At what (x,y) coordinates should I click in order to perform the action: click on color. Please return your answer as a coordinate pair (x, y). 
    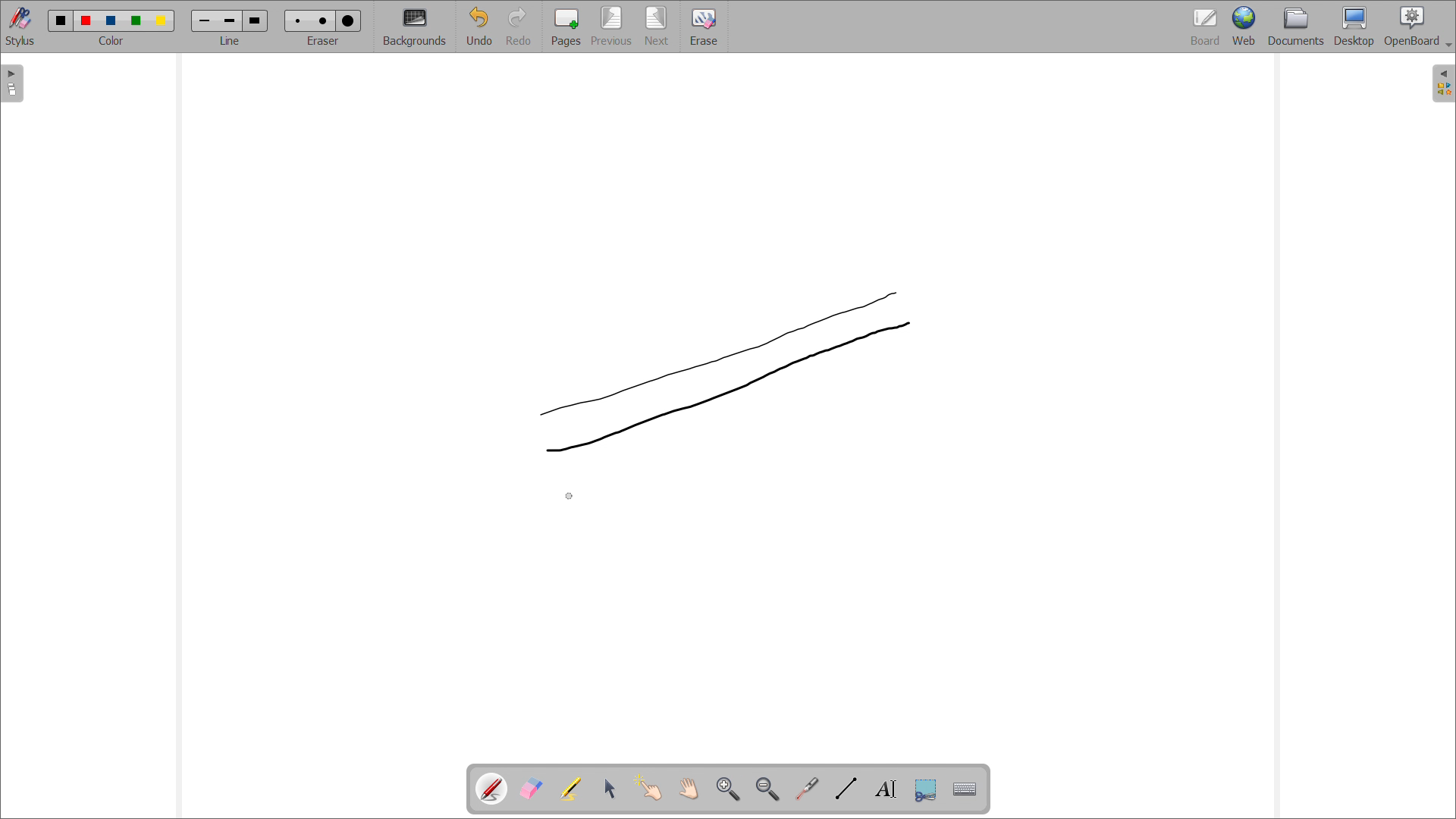
    Looking at the image, I should click on (138, 21).